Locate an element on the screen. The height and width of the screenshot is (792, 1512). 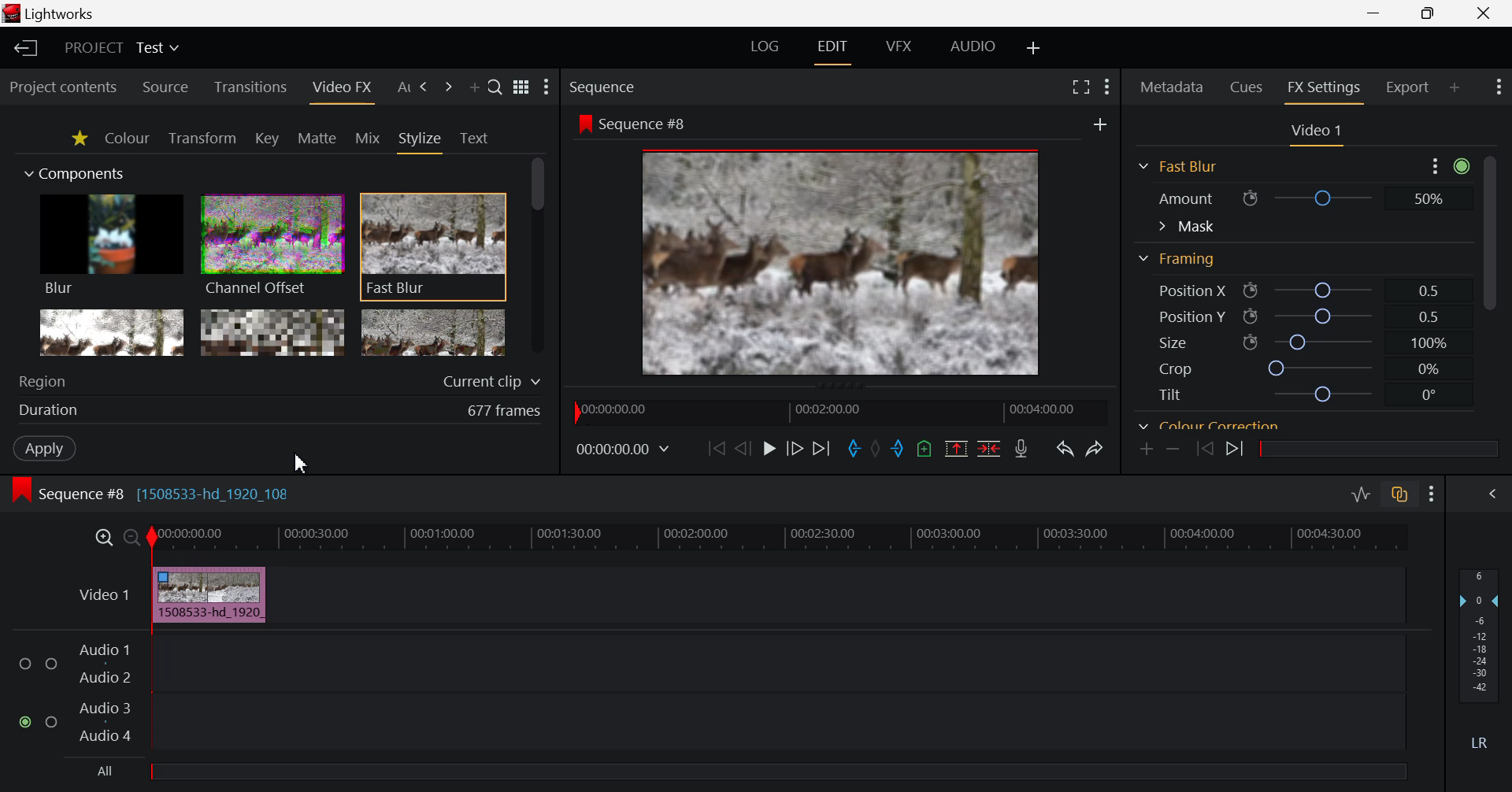
Minimize is located at coordinates (1430, 13).